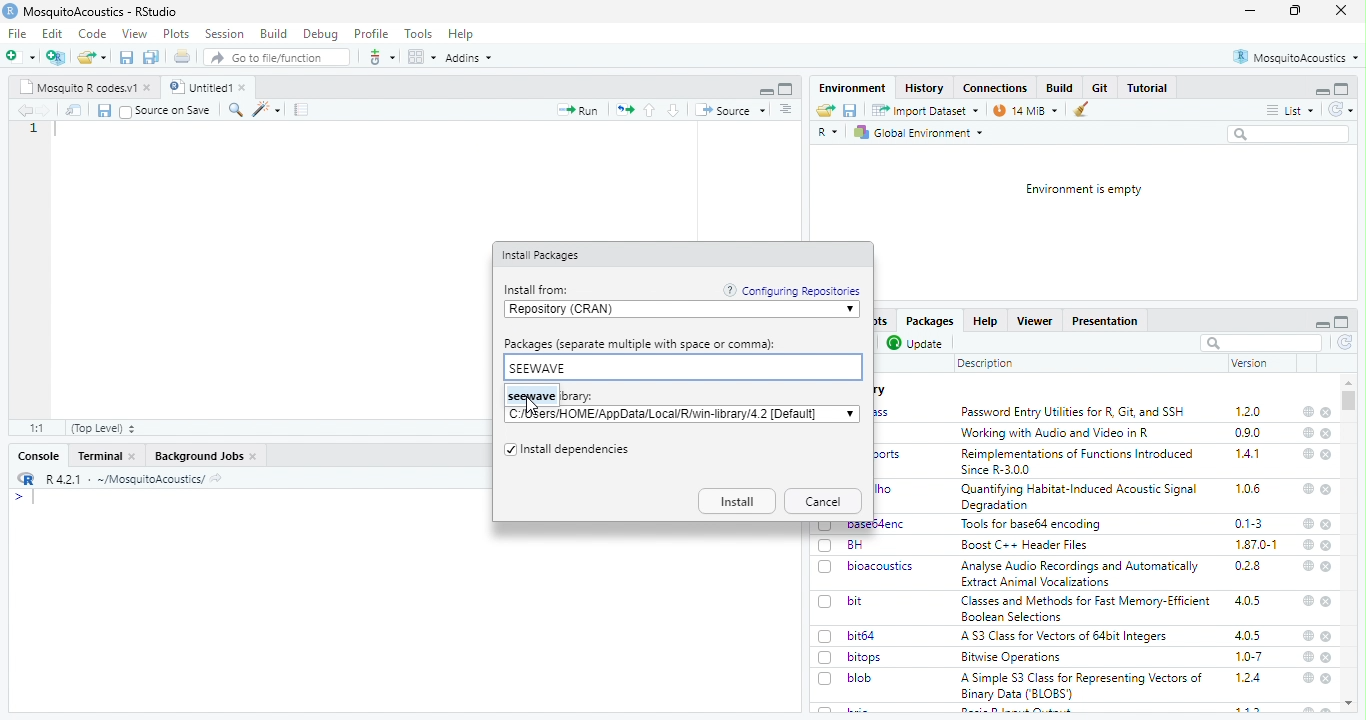 The image size is (1366, 720). What do you see at coordinates (787, 89) in the screenshot?
I see `maiximize` at bounding box center [787, 89].